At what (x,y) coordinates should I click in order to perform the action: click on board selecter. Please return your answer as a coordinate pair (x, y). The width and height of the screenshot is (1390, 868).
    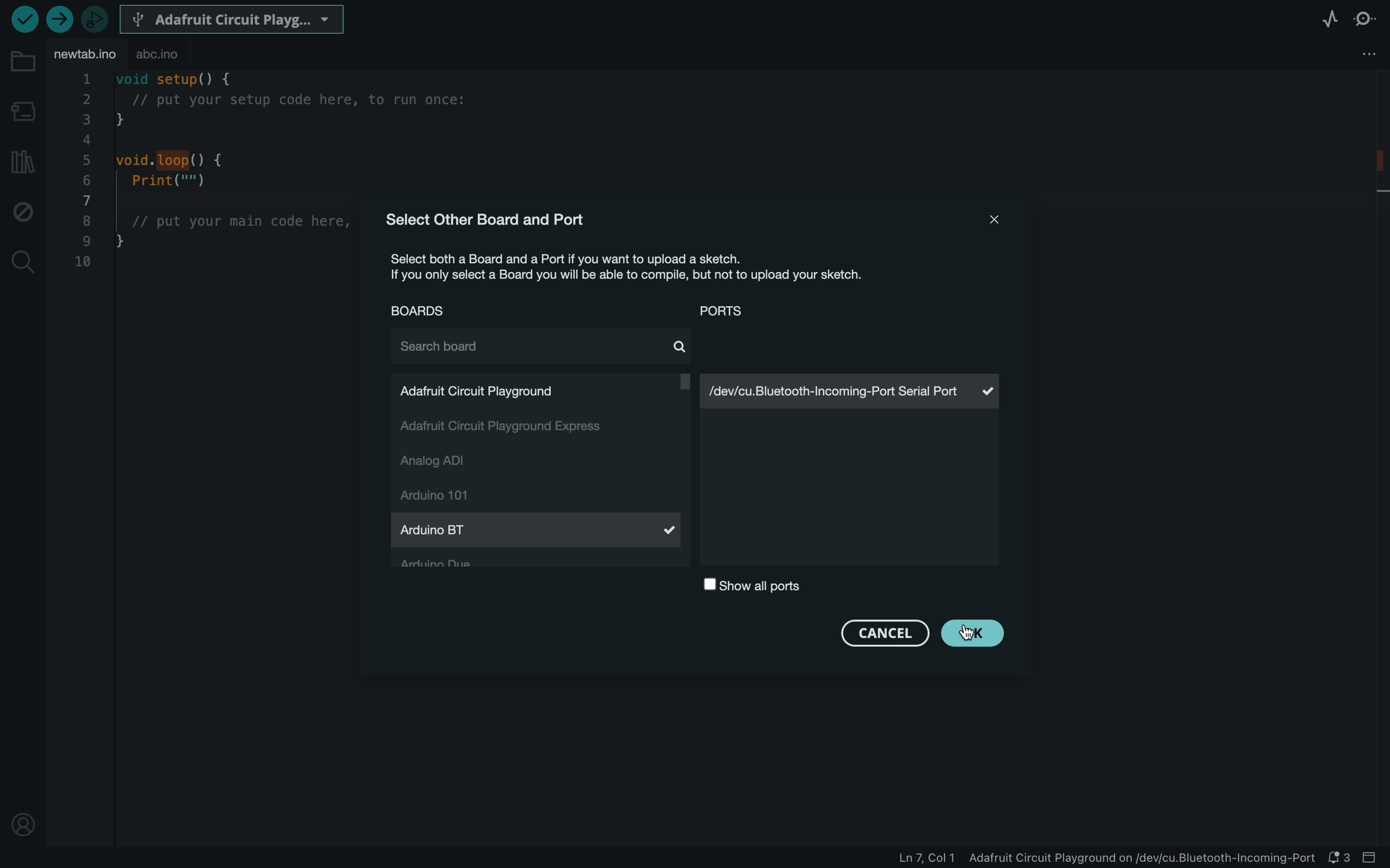
    Looking at the image, I should click on (232, 18).